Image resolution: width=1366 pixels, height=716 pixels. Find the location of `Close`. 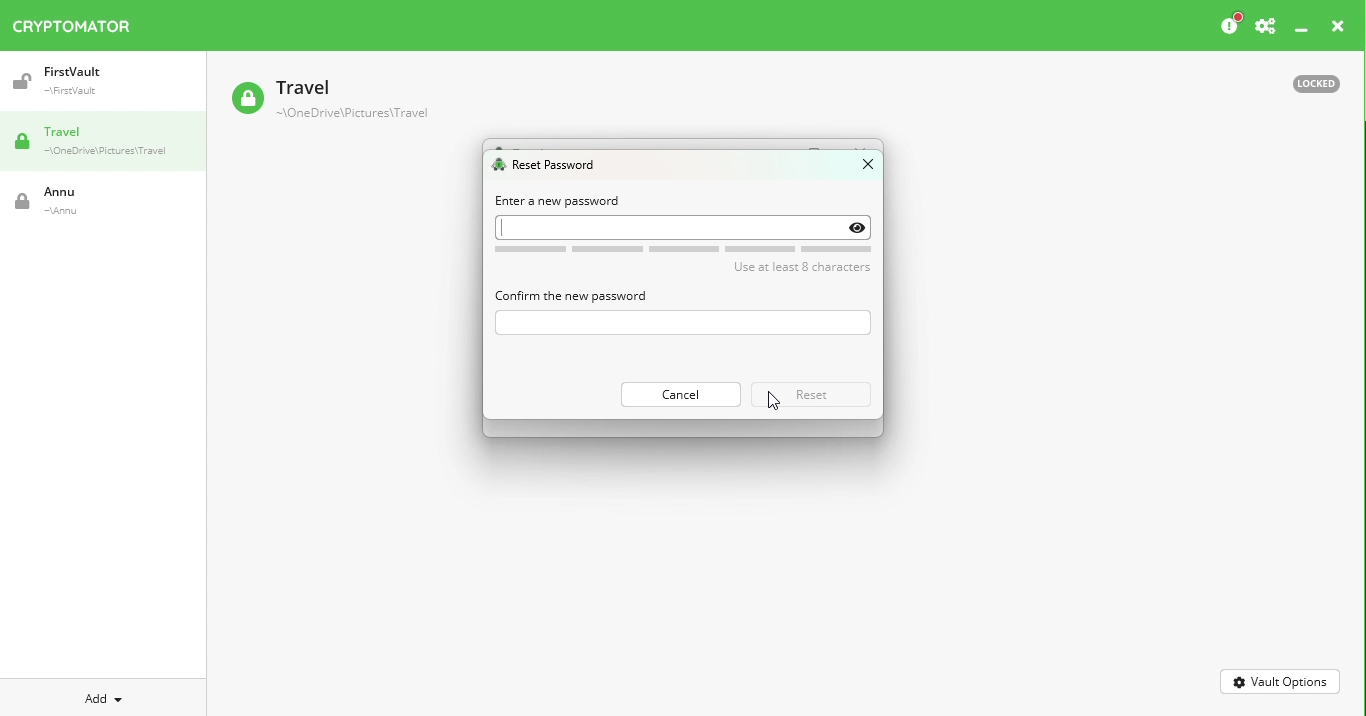

Close is located at coordinates (1338, 29).